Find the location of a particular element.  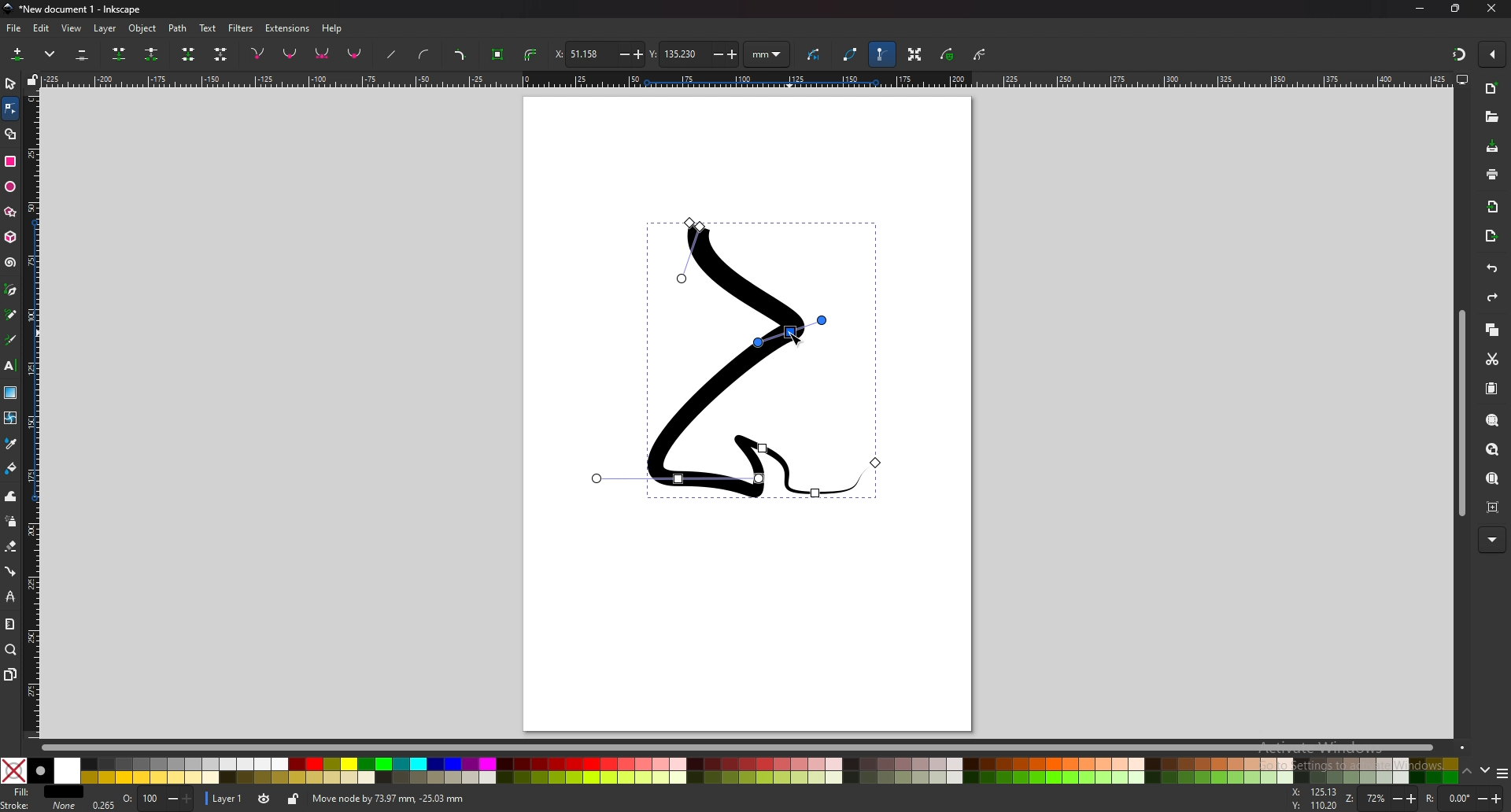

stroke is located at coordinates (39, 805).